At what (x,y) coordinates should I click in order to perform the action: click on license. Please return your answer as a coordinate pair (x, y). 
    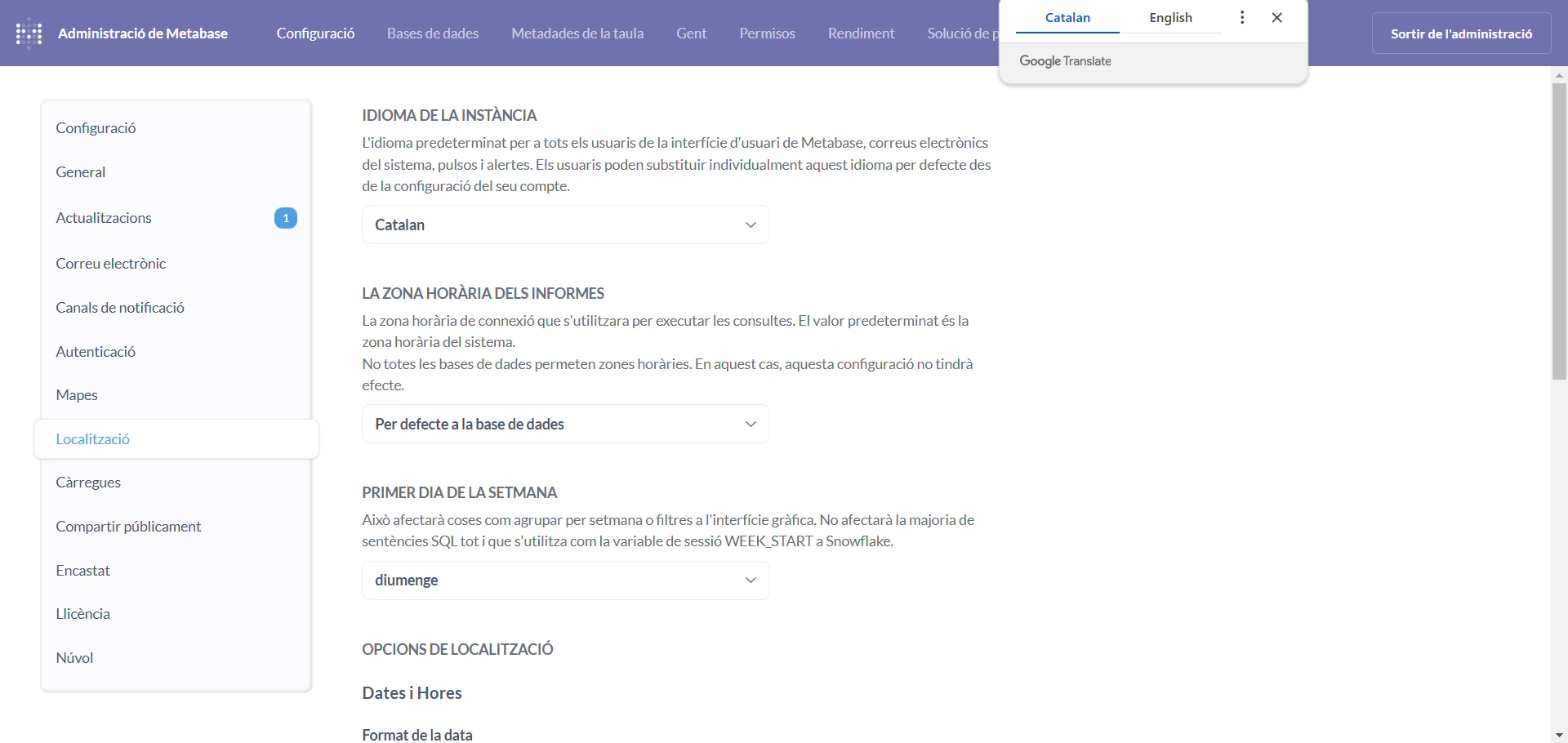
    Looking at the image, I should click on (160, 615).